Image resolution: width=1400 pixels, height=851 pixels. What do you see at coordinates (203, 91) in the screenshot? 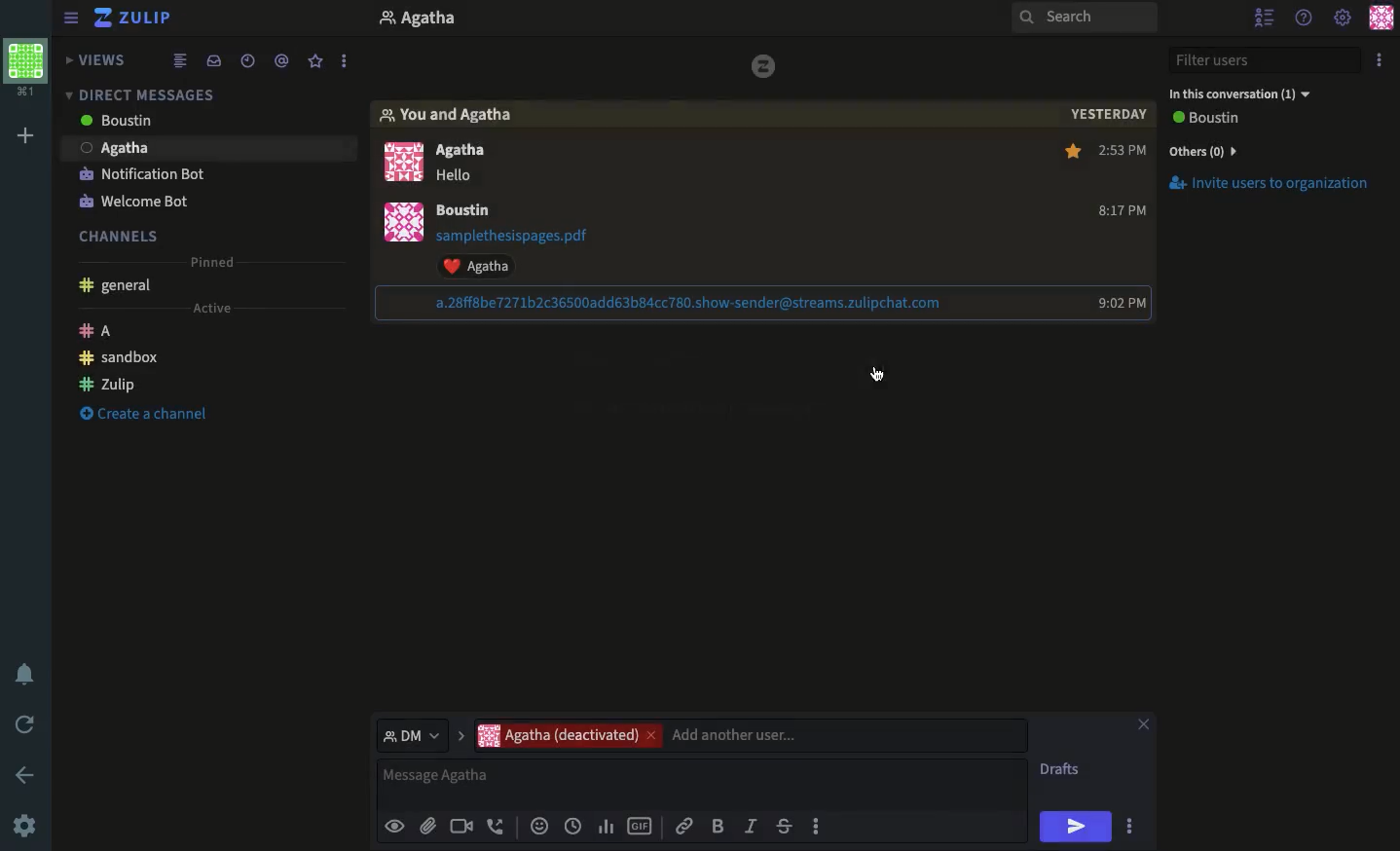
I see `Inbox` at bounding box center [203, 91].